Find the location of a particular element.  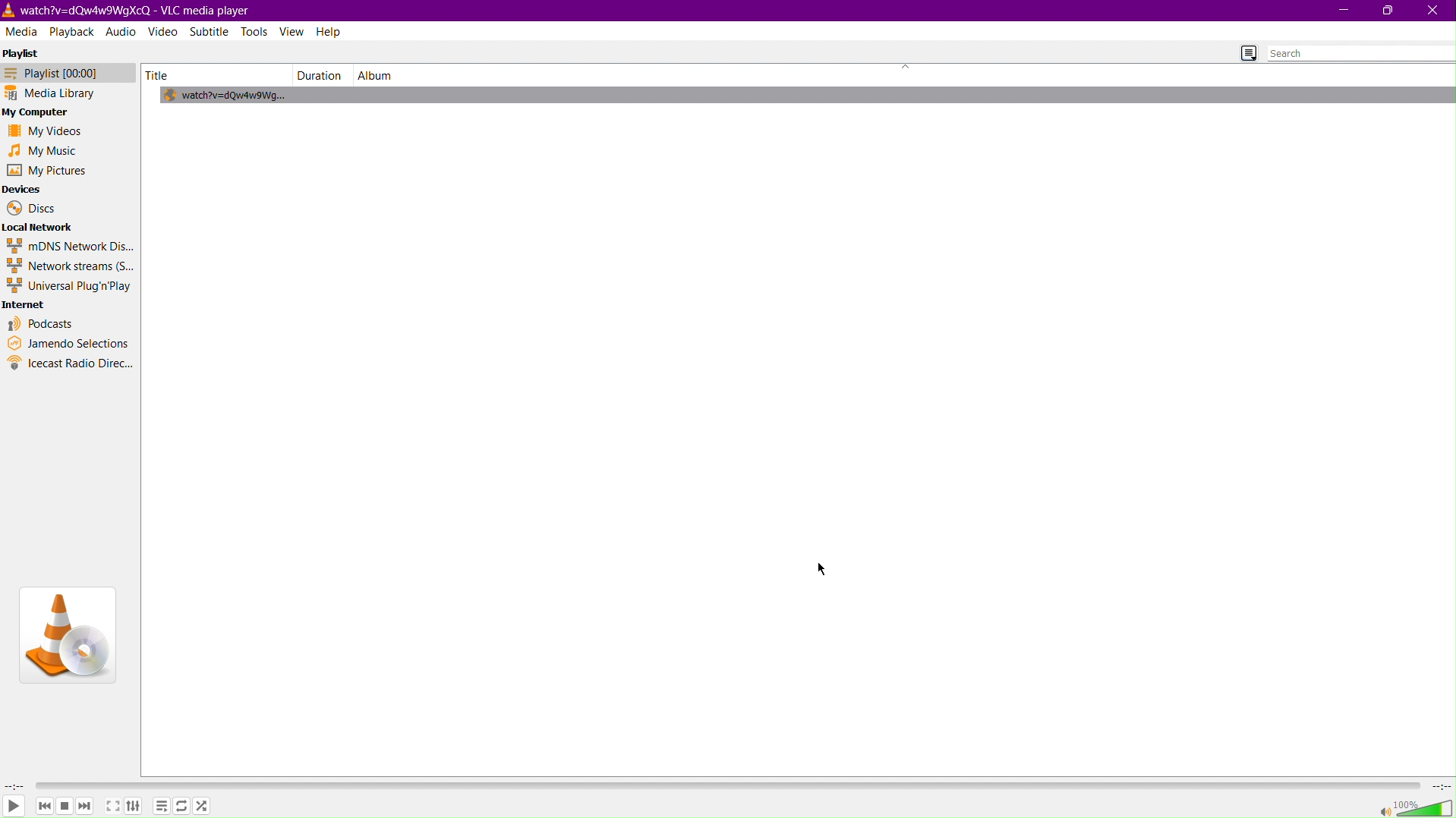

Close is located at coordinates (1433, 11).